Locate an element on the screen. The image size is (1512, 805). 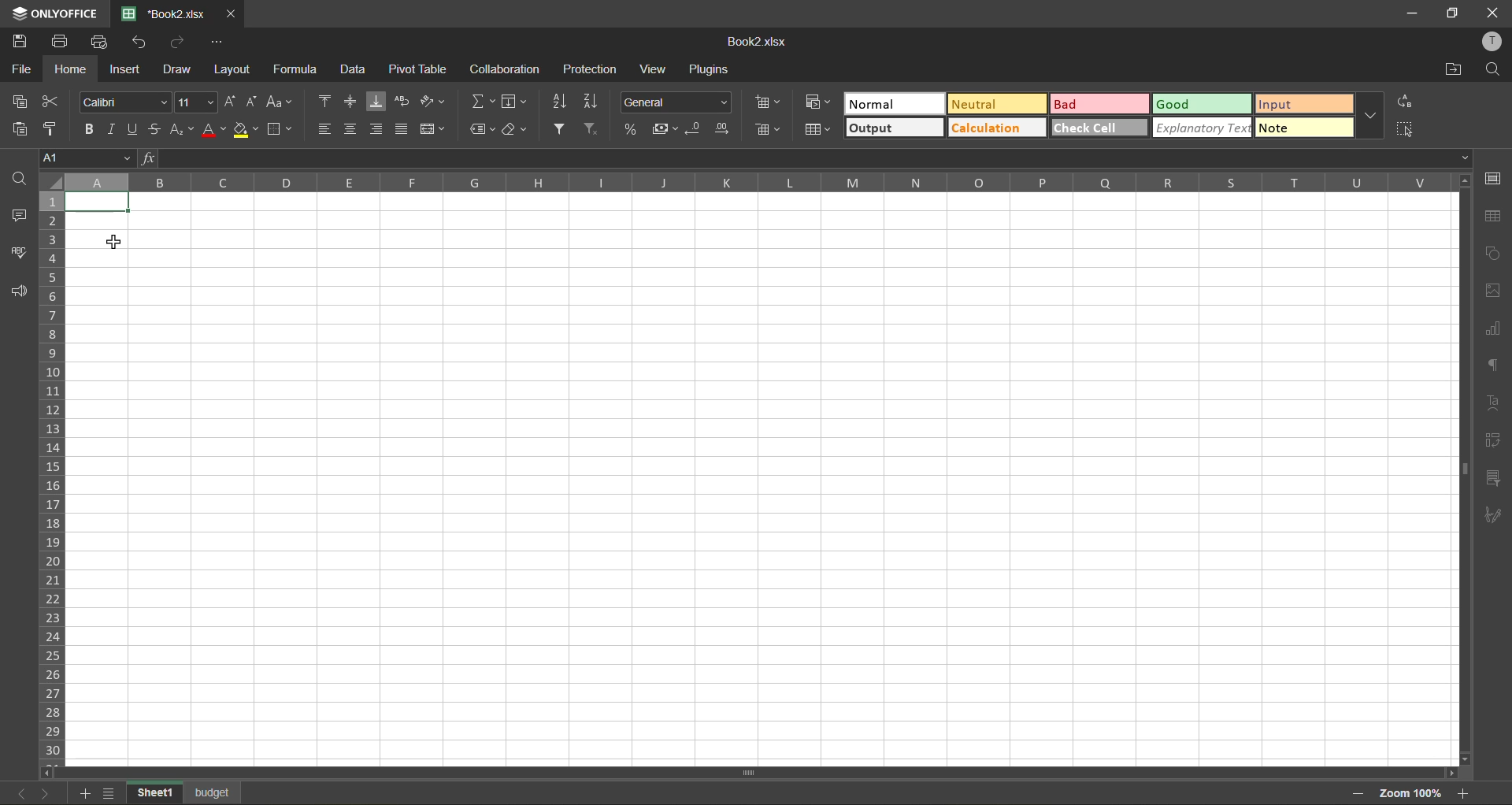
sheet list is located at coordinates (110, 793).